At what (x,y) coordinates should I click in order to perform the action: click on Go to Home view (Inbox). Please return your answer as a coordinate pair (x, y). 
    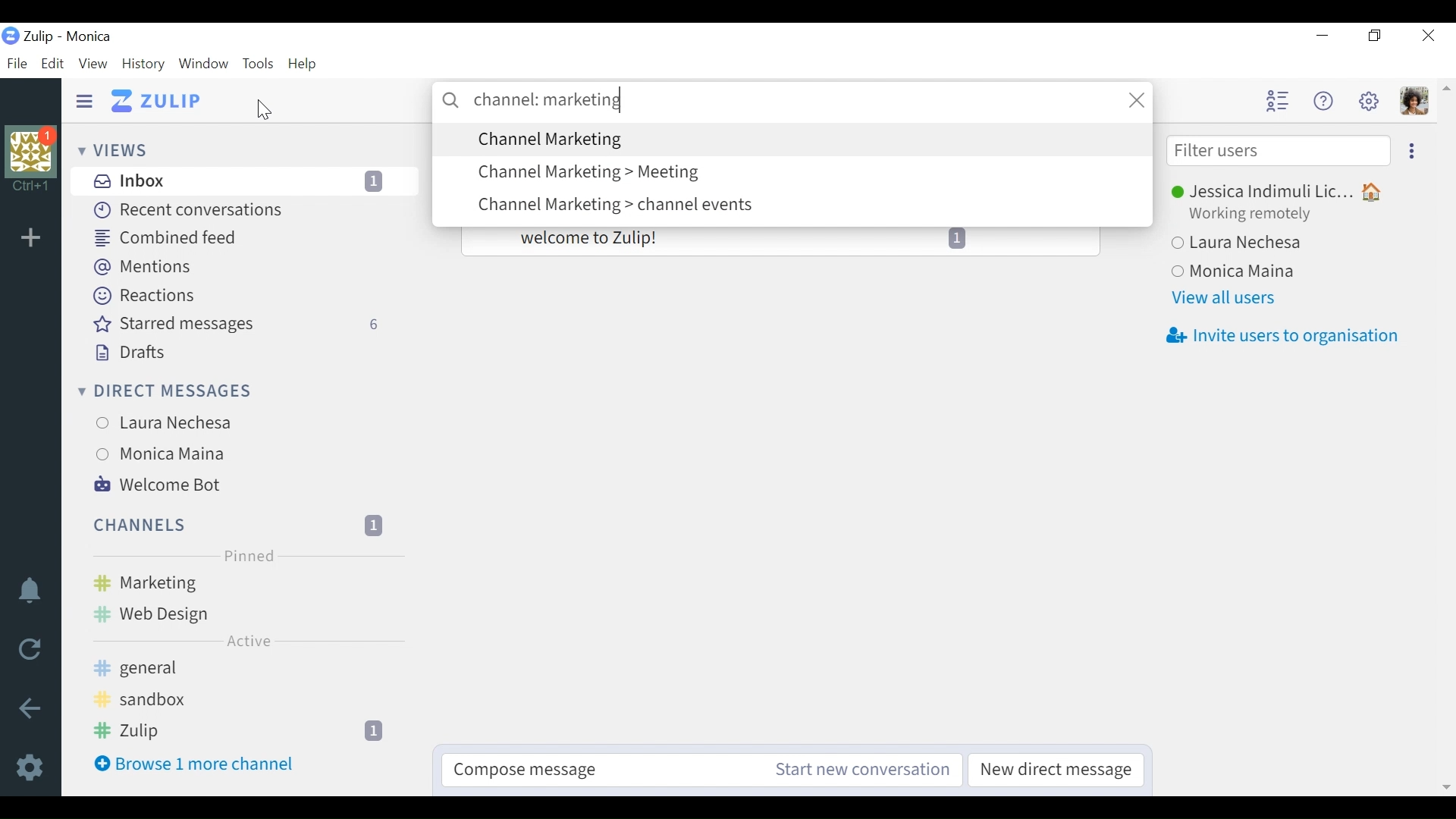
    Looking at the image, I should click on (156, 100).